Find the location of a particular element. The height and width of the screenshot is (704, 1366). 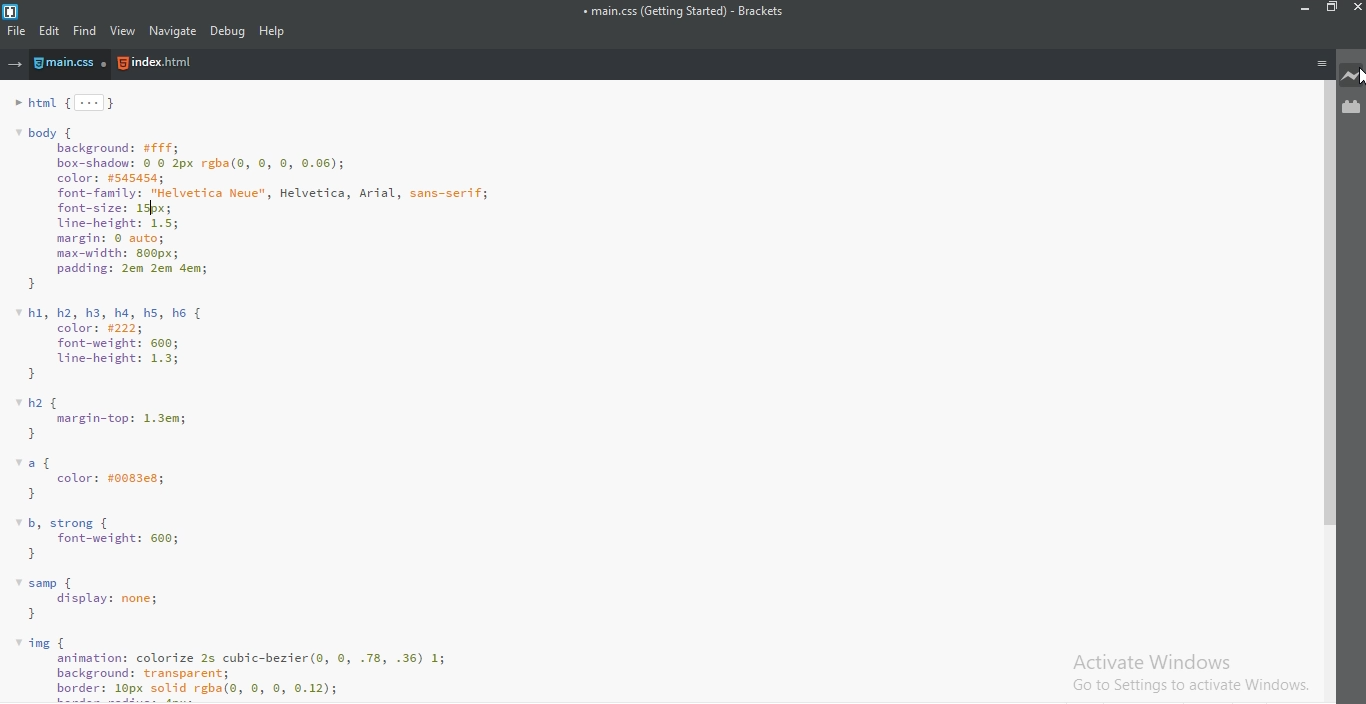

edit is located at coordinates (51, 31).